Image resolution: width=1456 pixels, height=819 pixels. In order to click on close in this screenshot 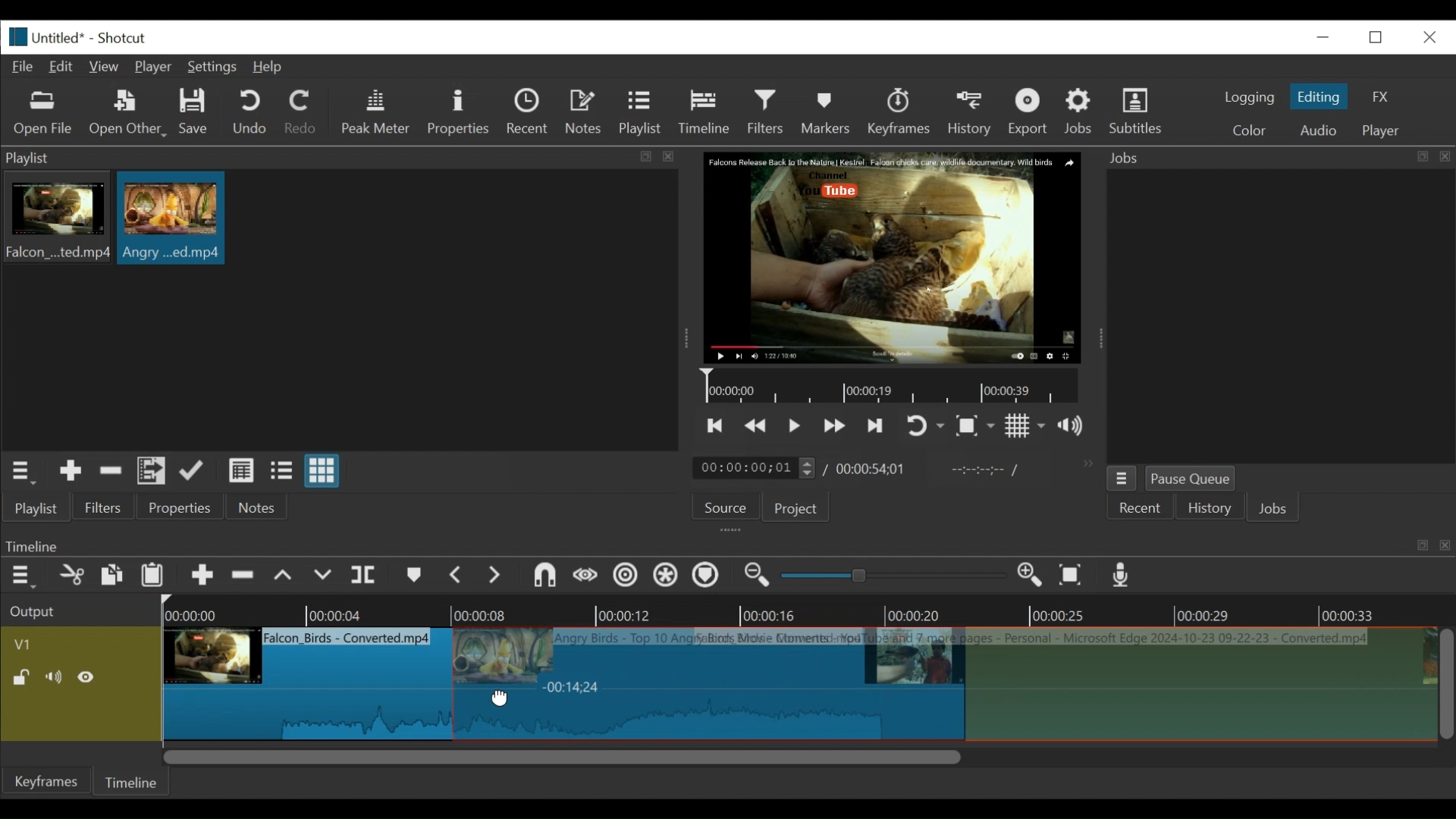, I will do `click(1428, 36)`.